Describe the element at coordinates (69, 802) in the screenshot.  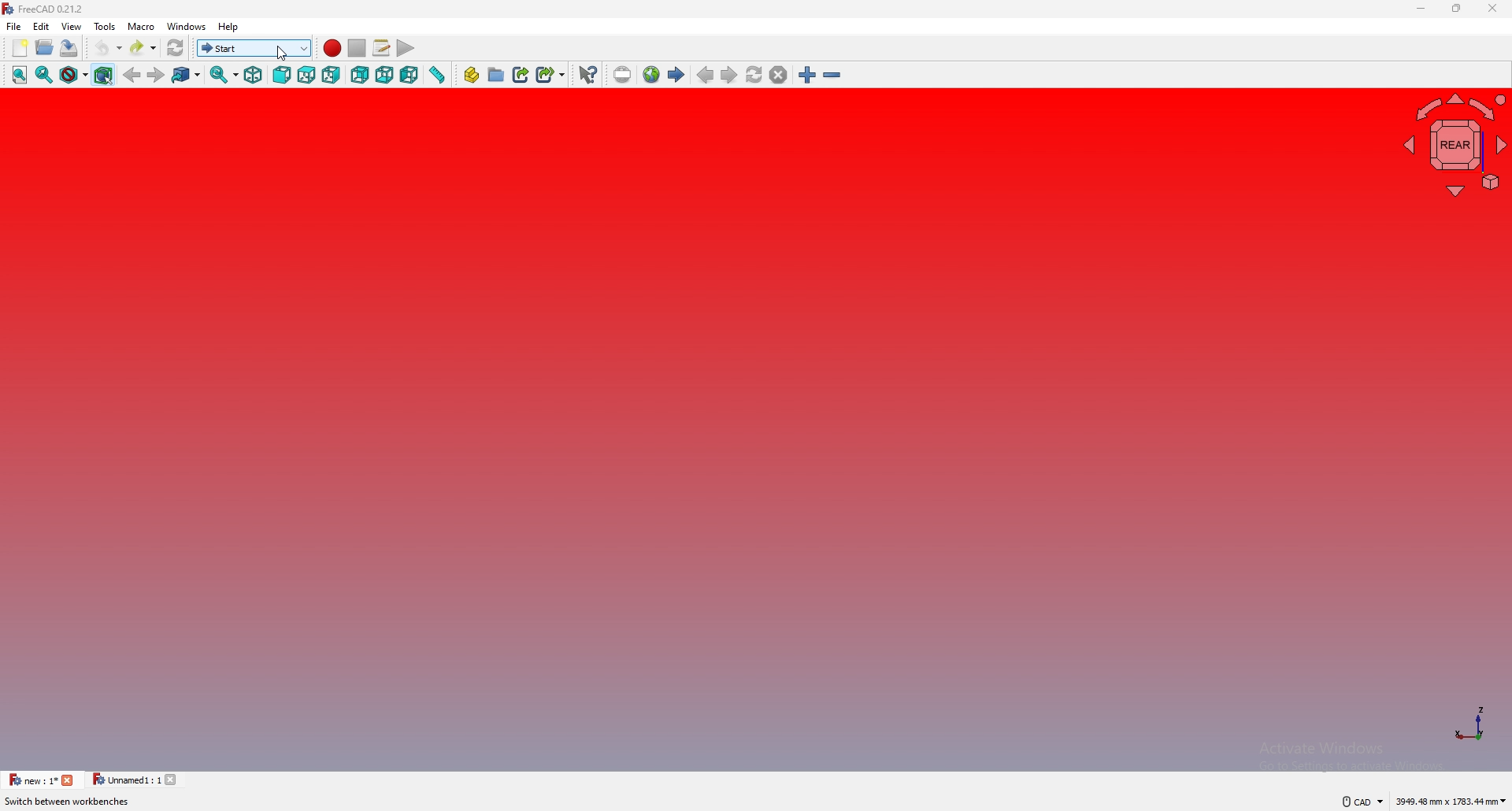
I see `Switch between workbenches` at that location.